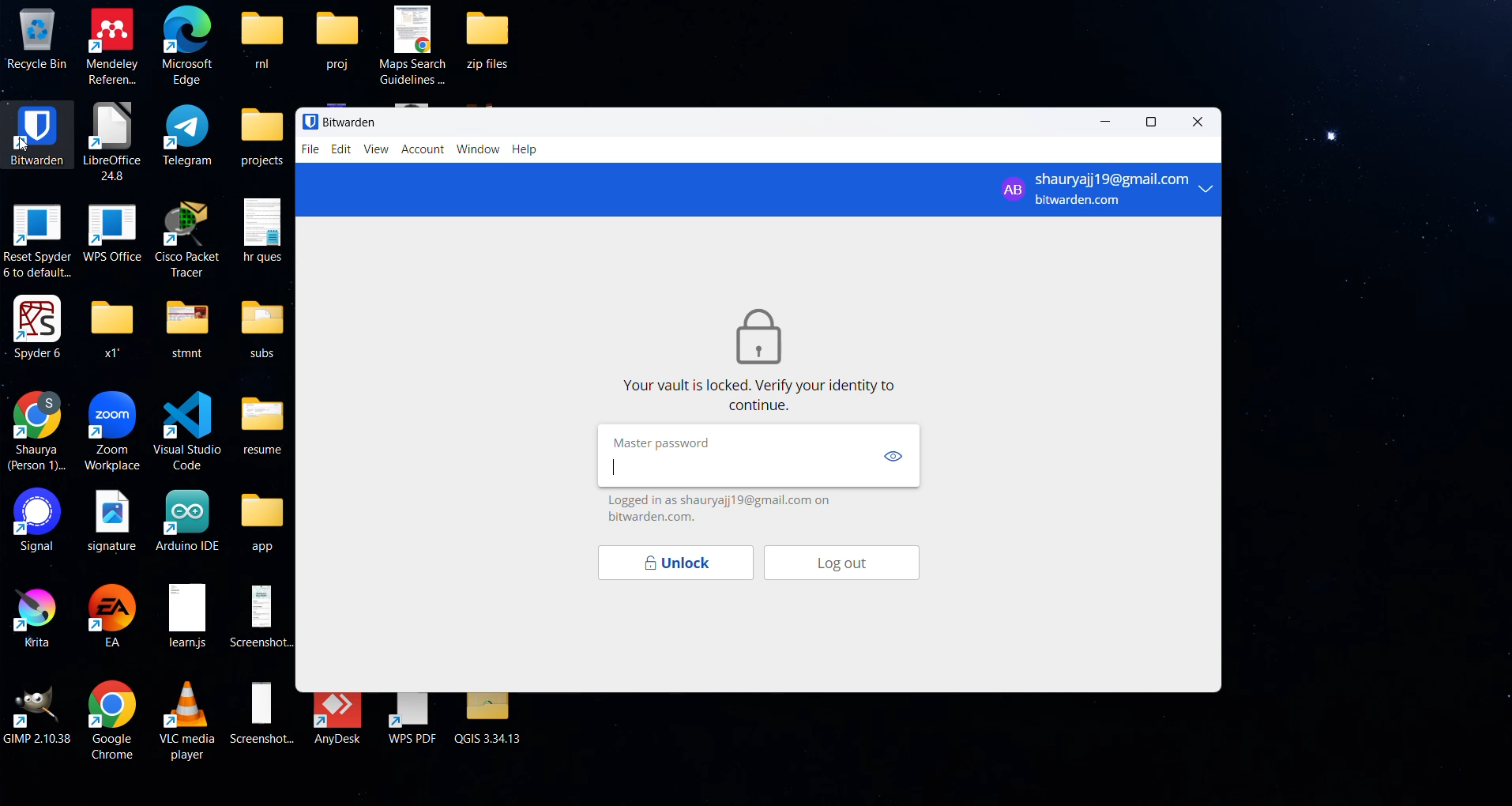  Describe the element at coordinates (496, 38) in the screenshot. I see `zip files` at that location.